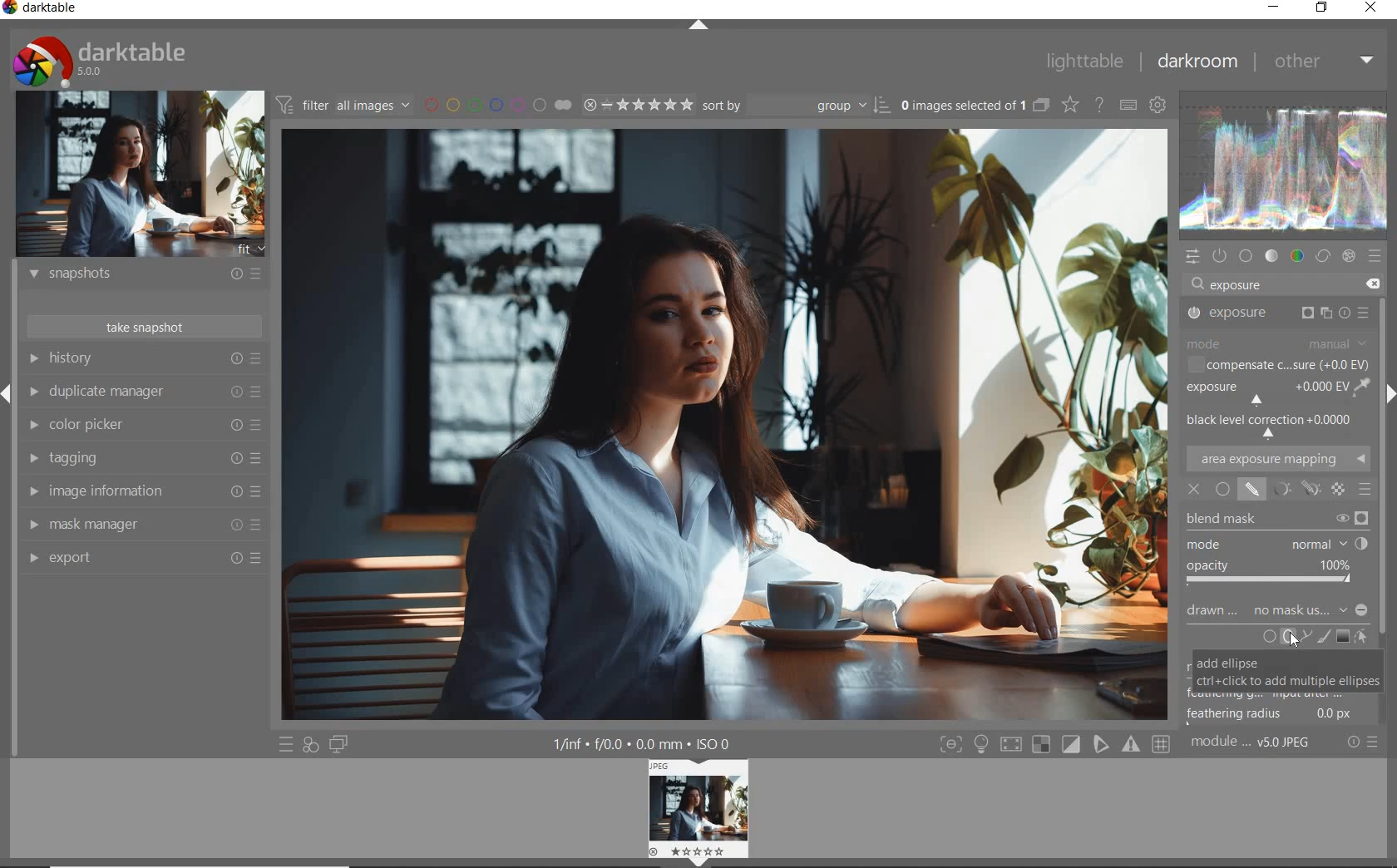  What do you see at coordinates (1286, 169) in the screenshot?
I see `waveform` at bounding box center [1286, 169].